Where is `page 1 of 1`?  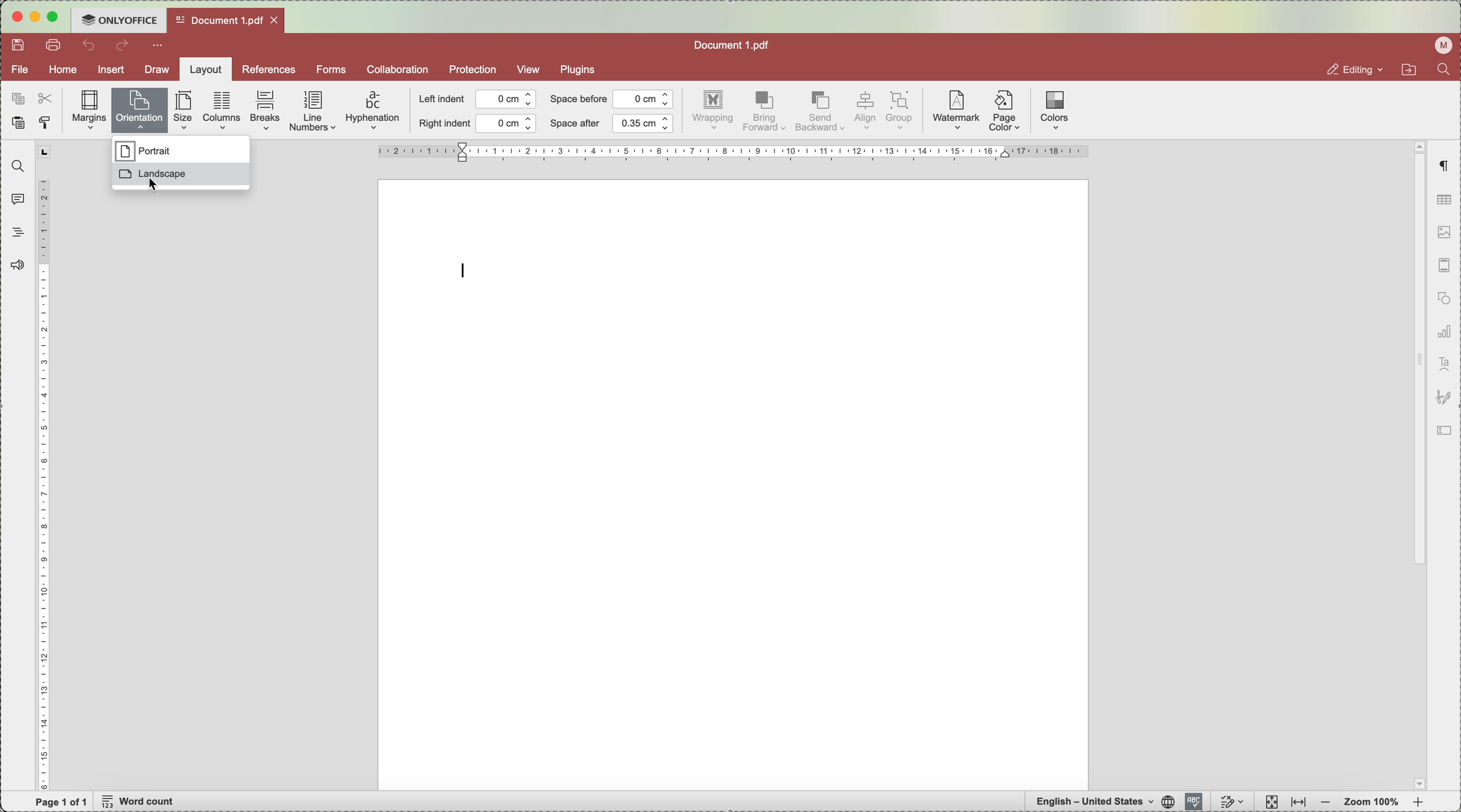
page 1 of 1 is located at coordinates (62, 802).